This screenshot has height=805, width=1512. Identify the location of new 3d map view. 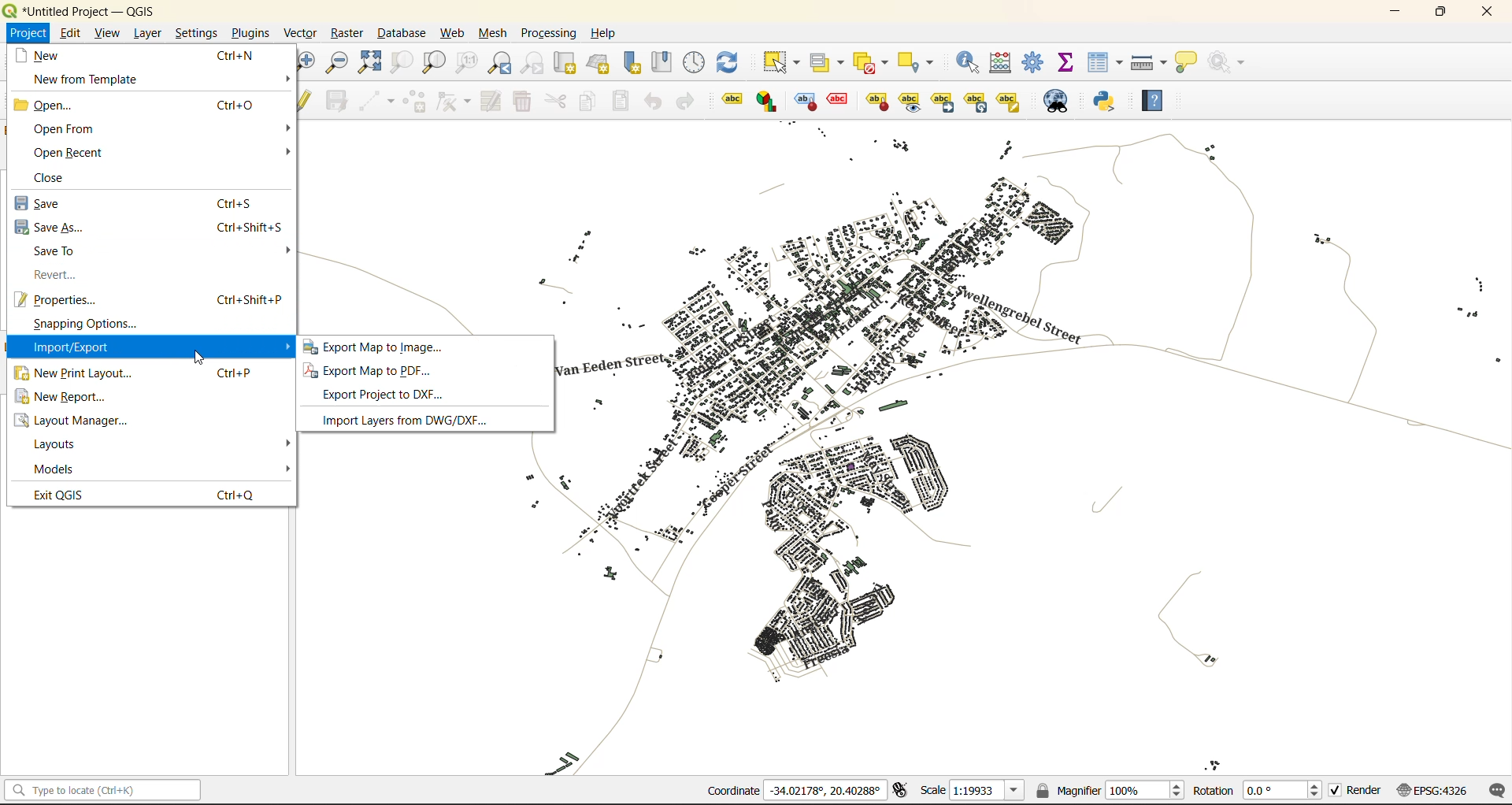
(598, 61).